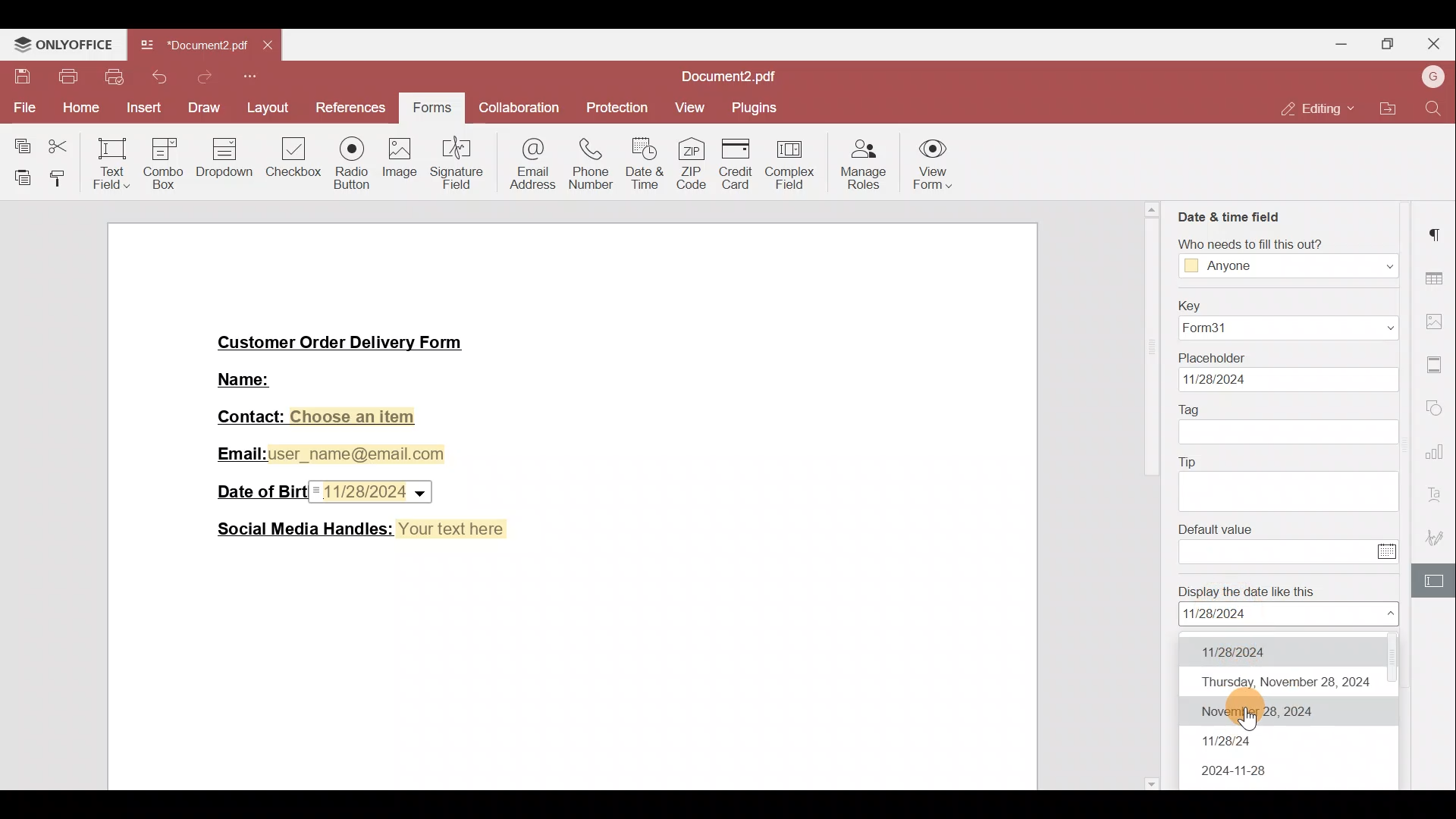 This screenshot has width=1456, height=819. Describe the element at coordinates (1290, 380) in the screenshot. I see `date` at that location.